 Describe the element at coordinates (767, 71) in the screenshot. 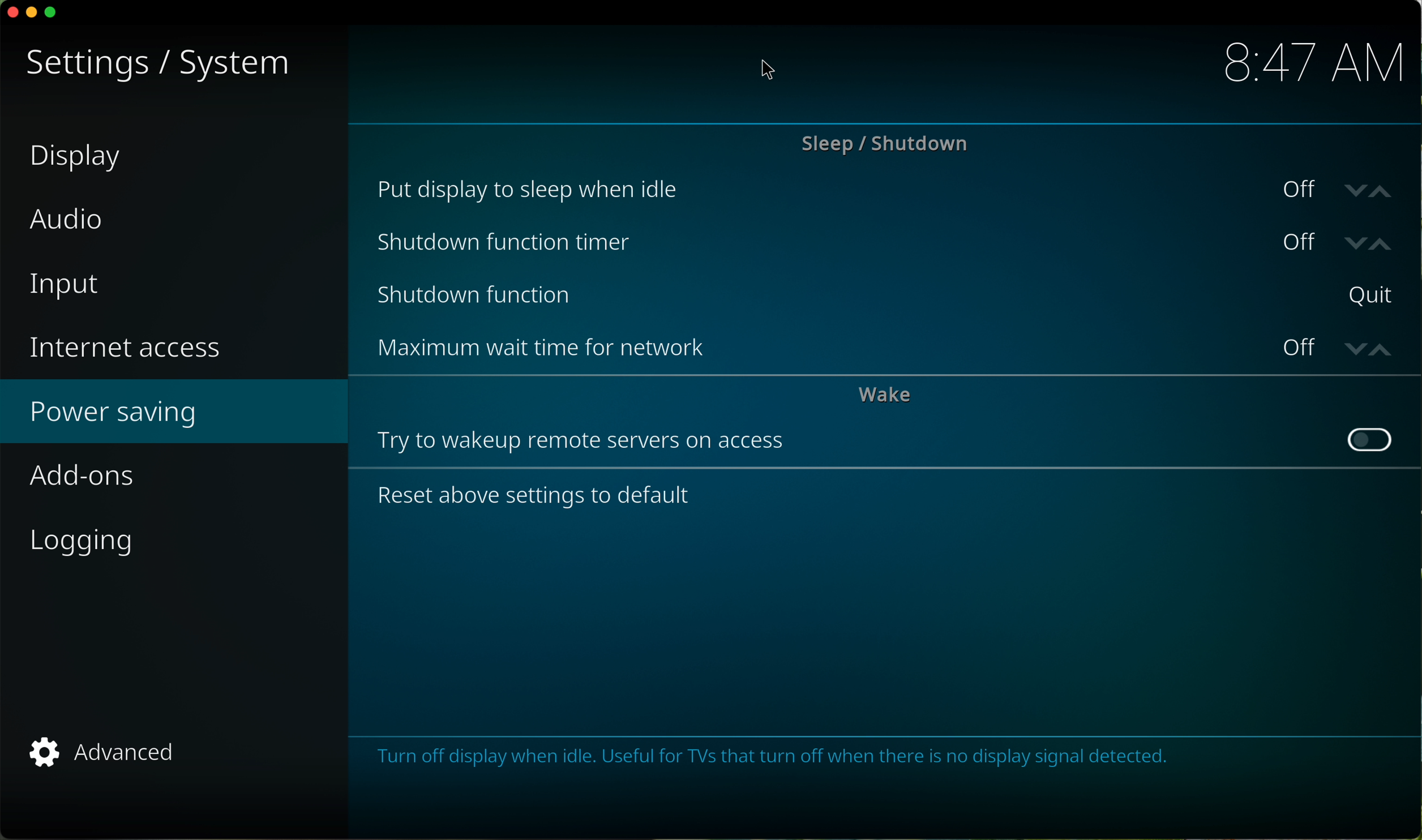

I see `mouse` at that location.